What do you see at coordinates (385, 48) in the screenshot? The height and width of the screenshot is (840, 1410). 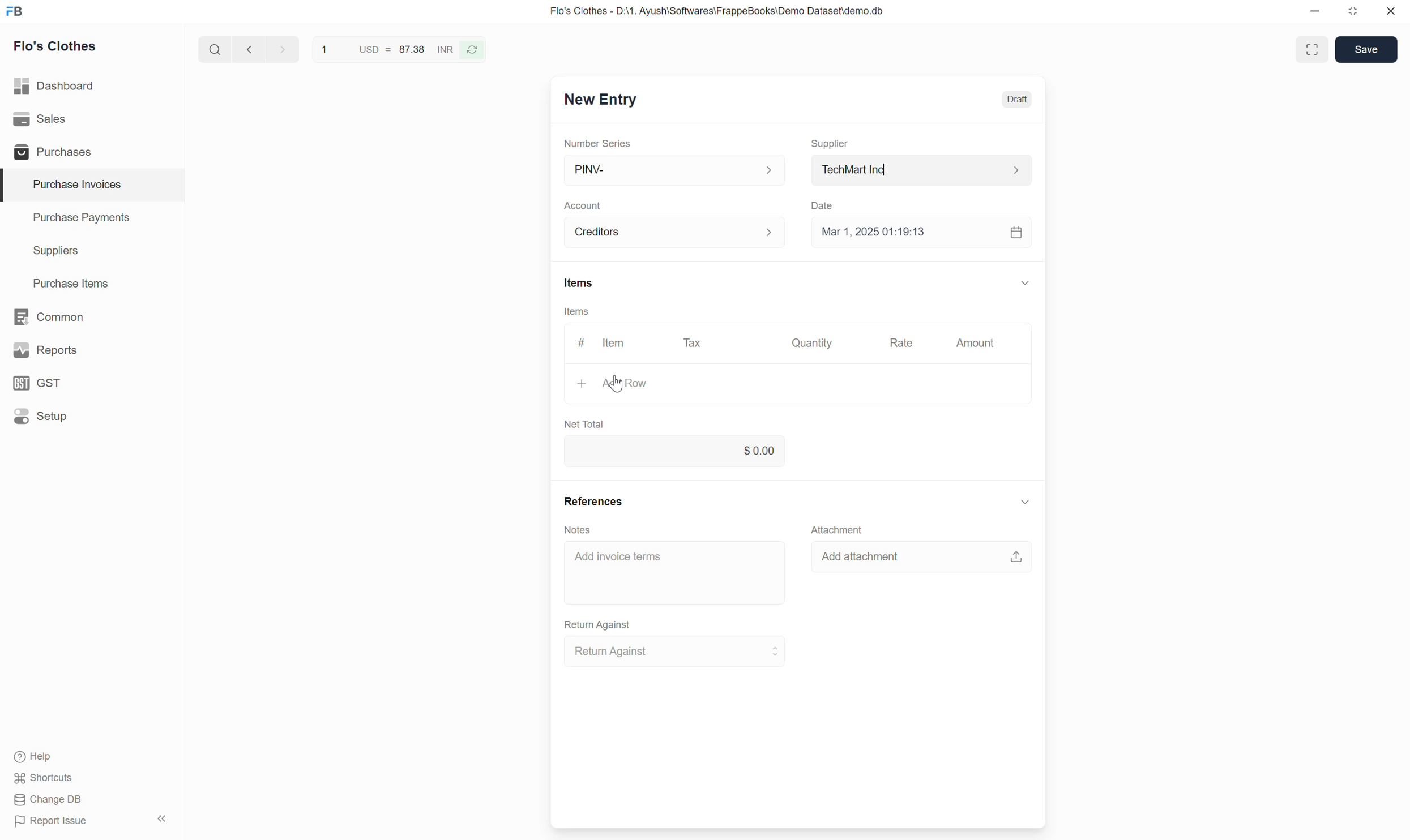 I see `1 USD = 87.38 INR` at bounding box center [385, 48].